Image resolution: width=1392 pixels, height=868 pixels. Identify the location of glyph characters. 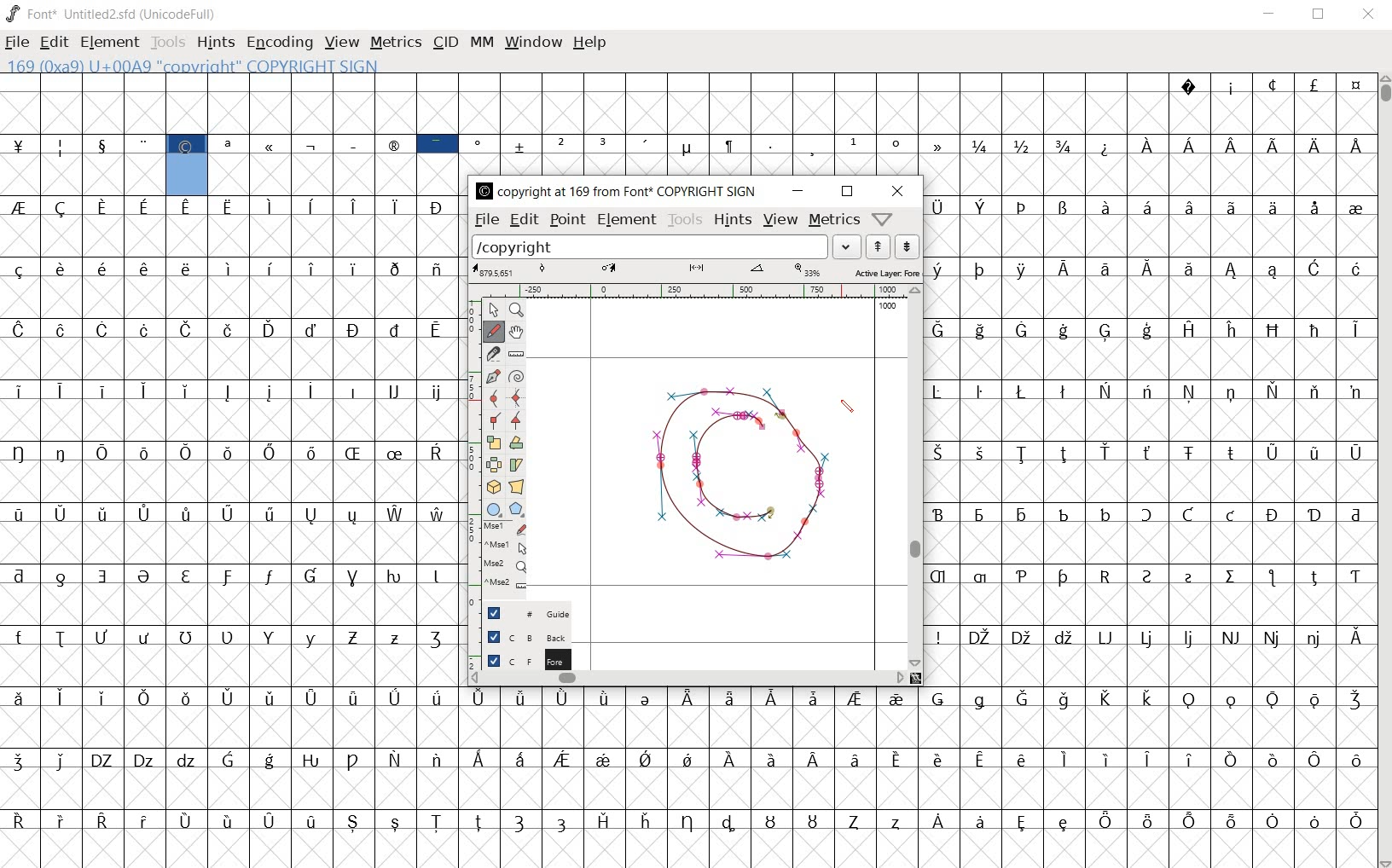
(1150, 438).